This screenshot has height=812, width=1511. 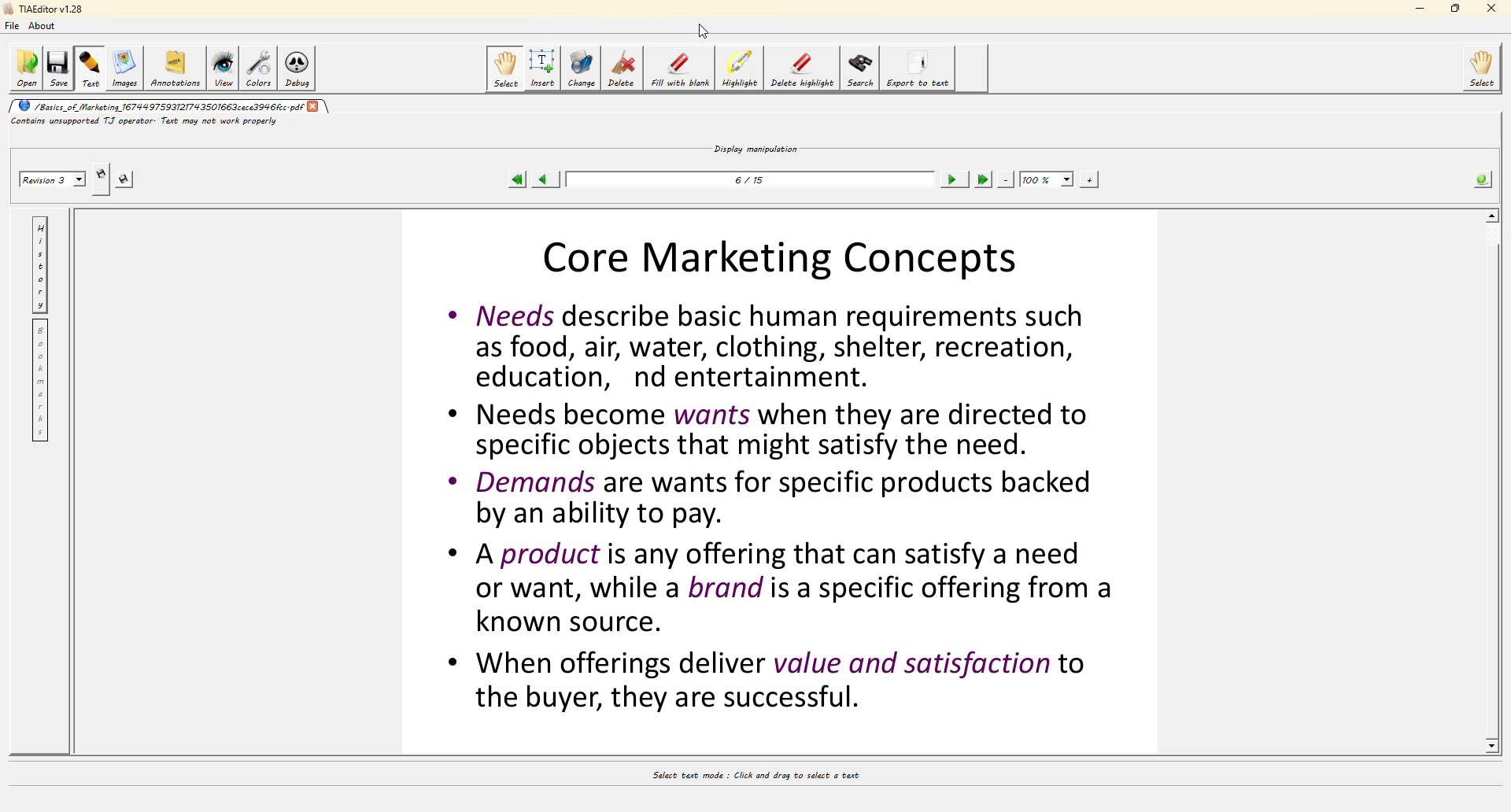 What do you see at coordinates (11, 28) in the screenshot?
I see `file` at bounding box center [11, 28].